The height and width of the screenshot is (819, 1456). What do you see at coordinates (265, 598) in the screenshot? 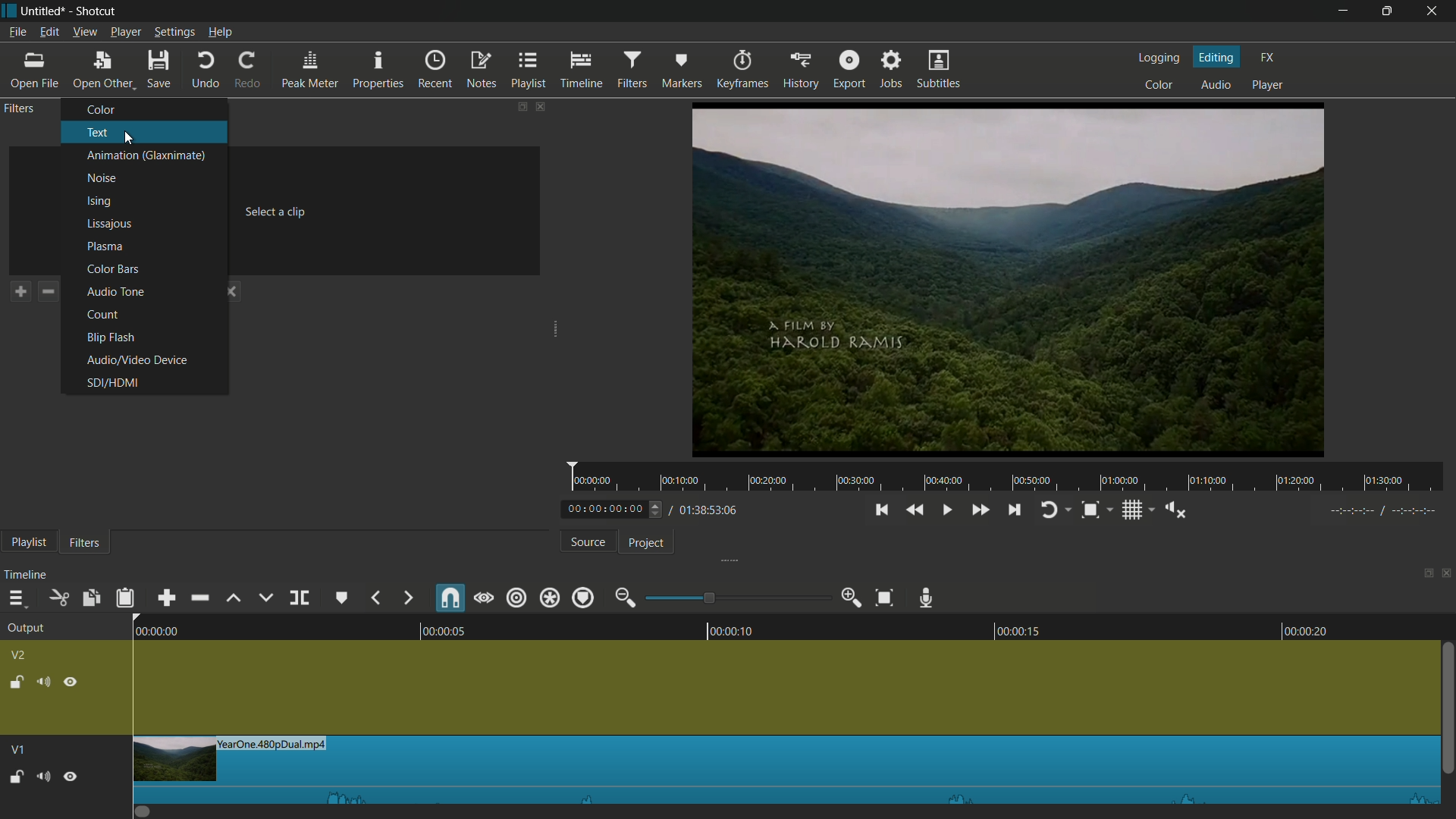
I see `overwrite` at bounding box center [265, 598].